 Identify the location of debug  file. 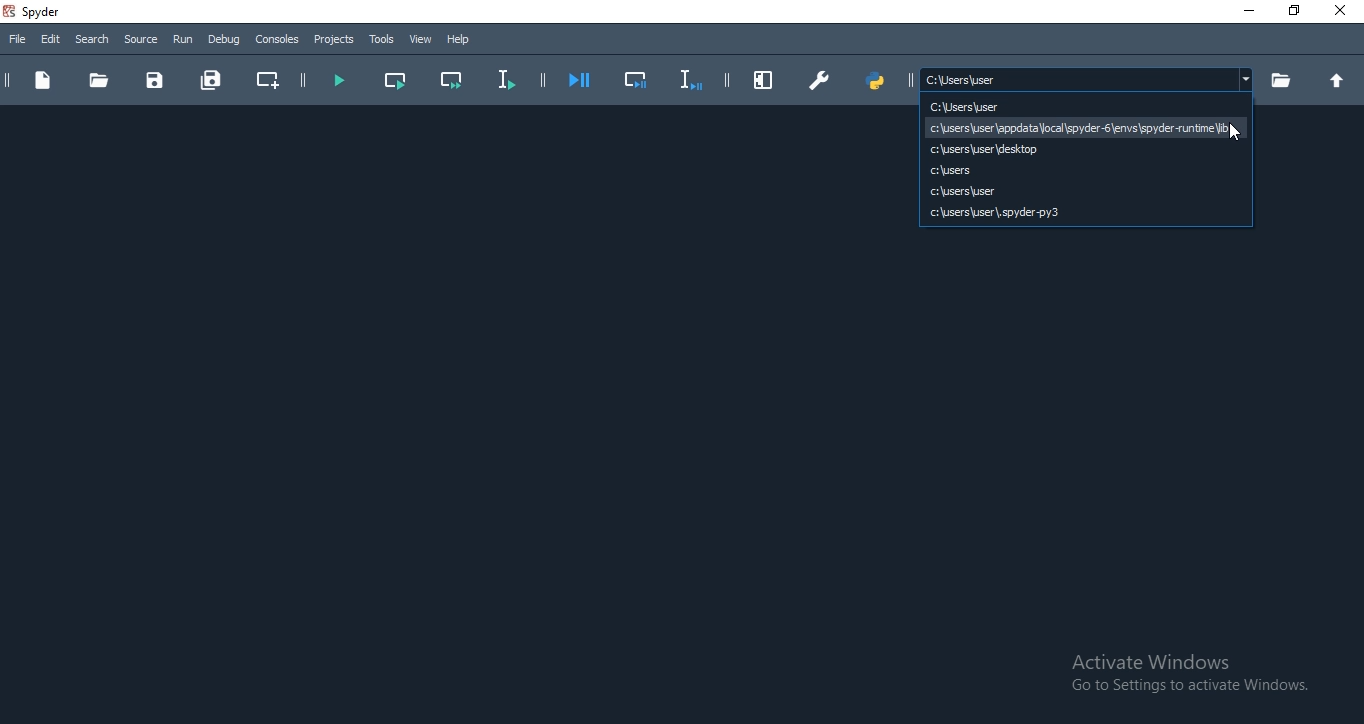
(581, 81).